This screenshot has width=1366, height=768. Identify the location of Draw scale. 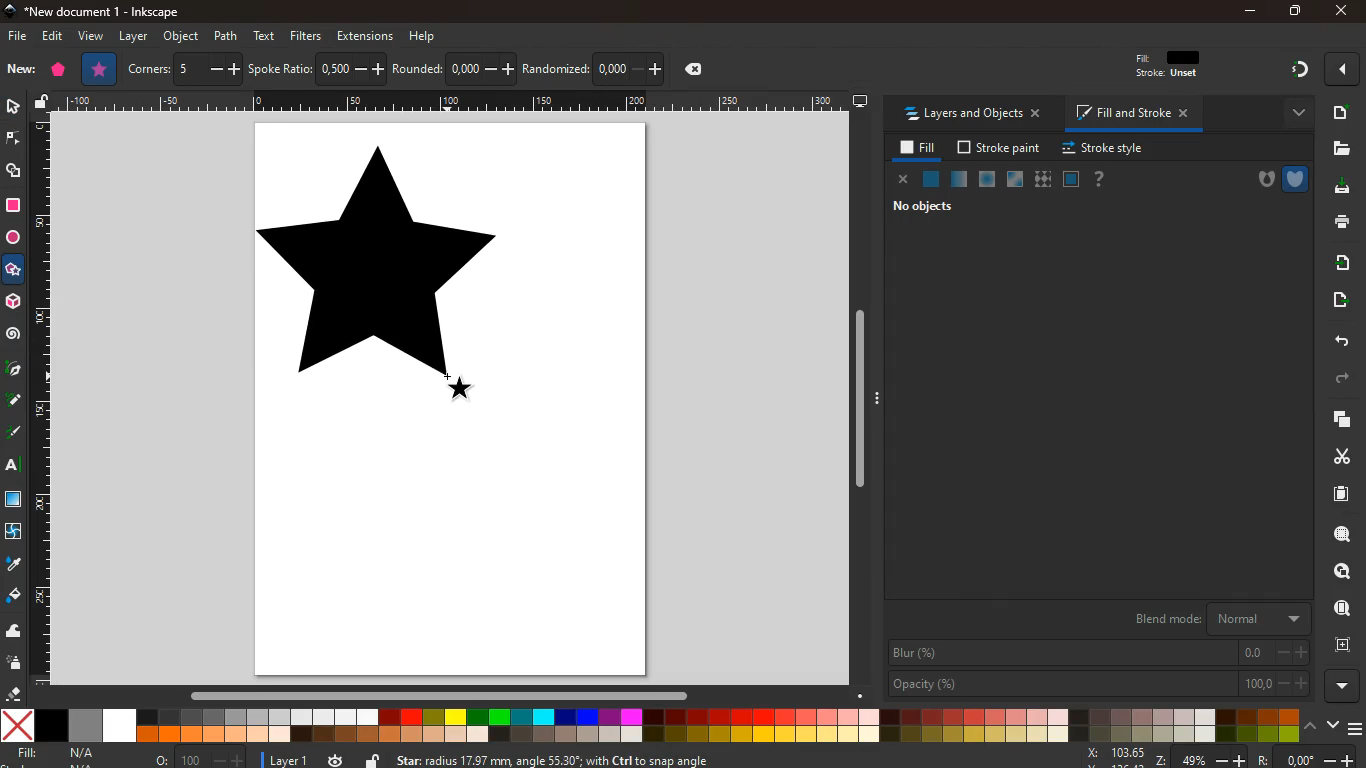
(50, 404).